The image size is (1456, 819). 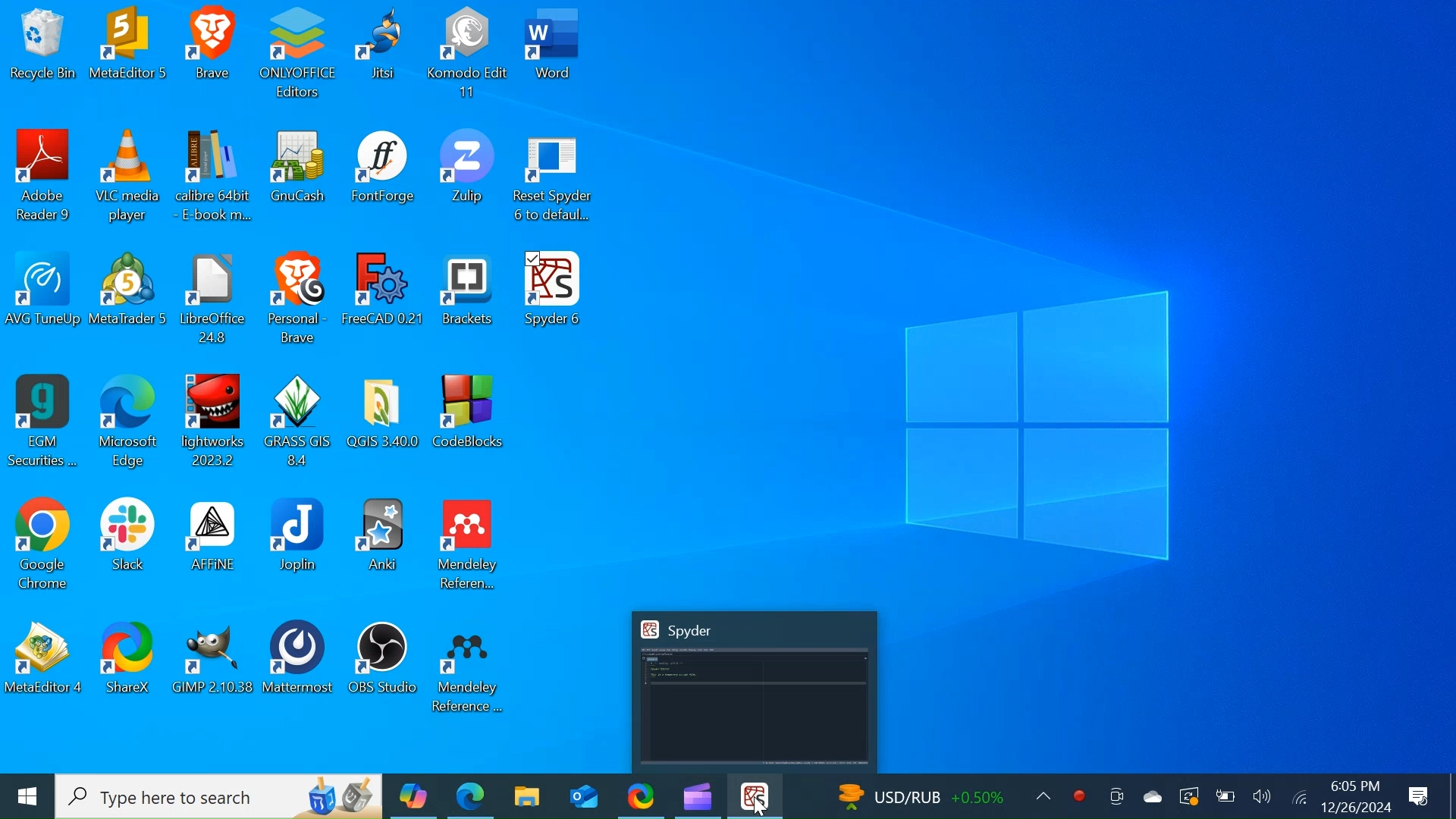 What do you see at coordinates (388, 426) in the screenshot?
I see `Folder` at bounding box center [388, 426].